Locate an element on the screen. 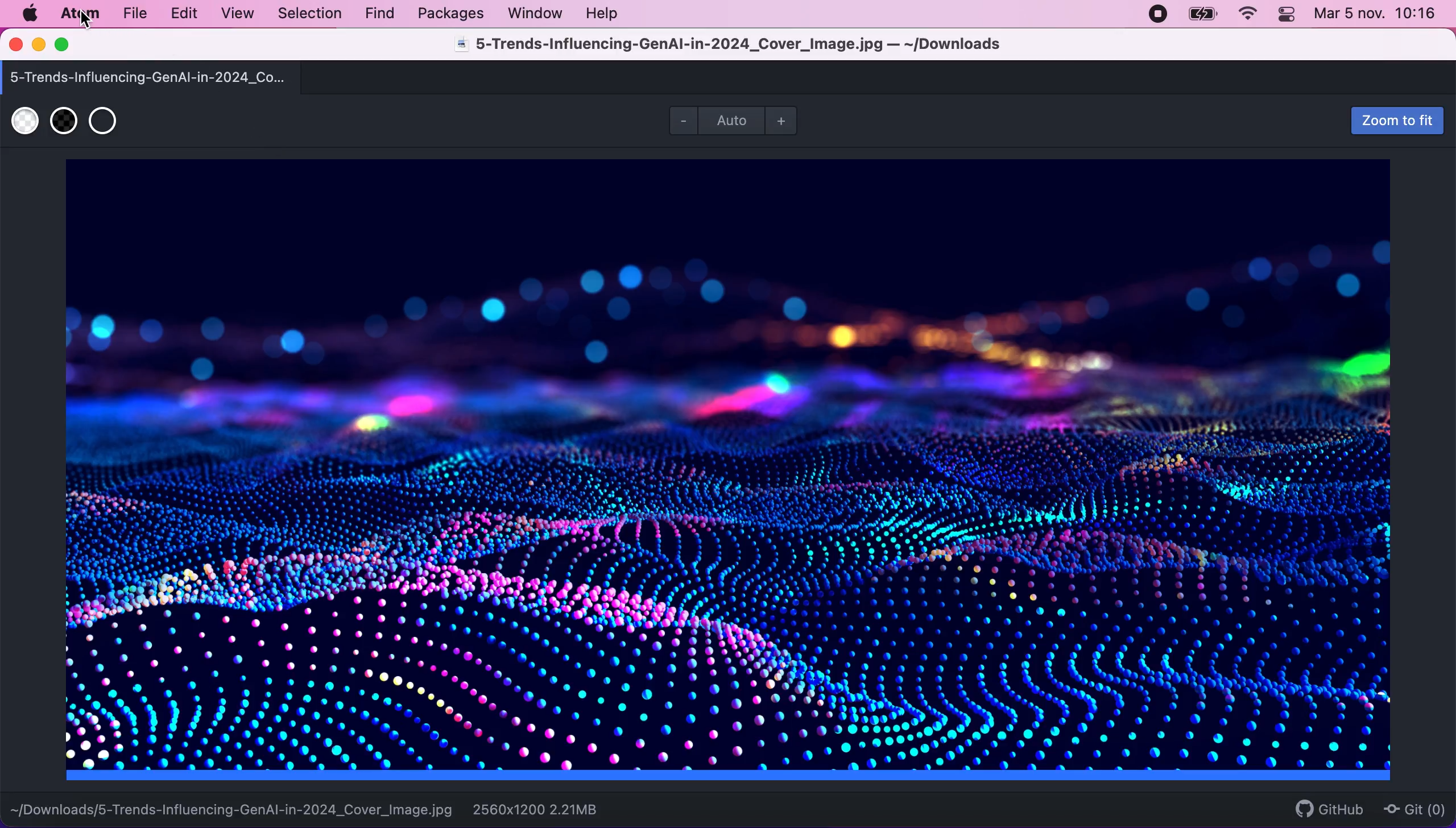  wifi is located at coordinates (1246, 14).